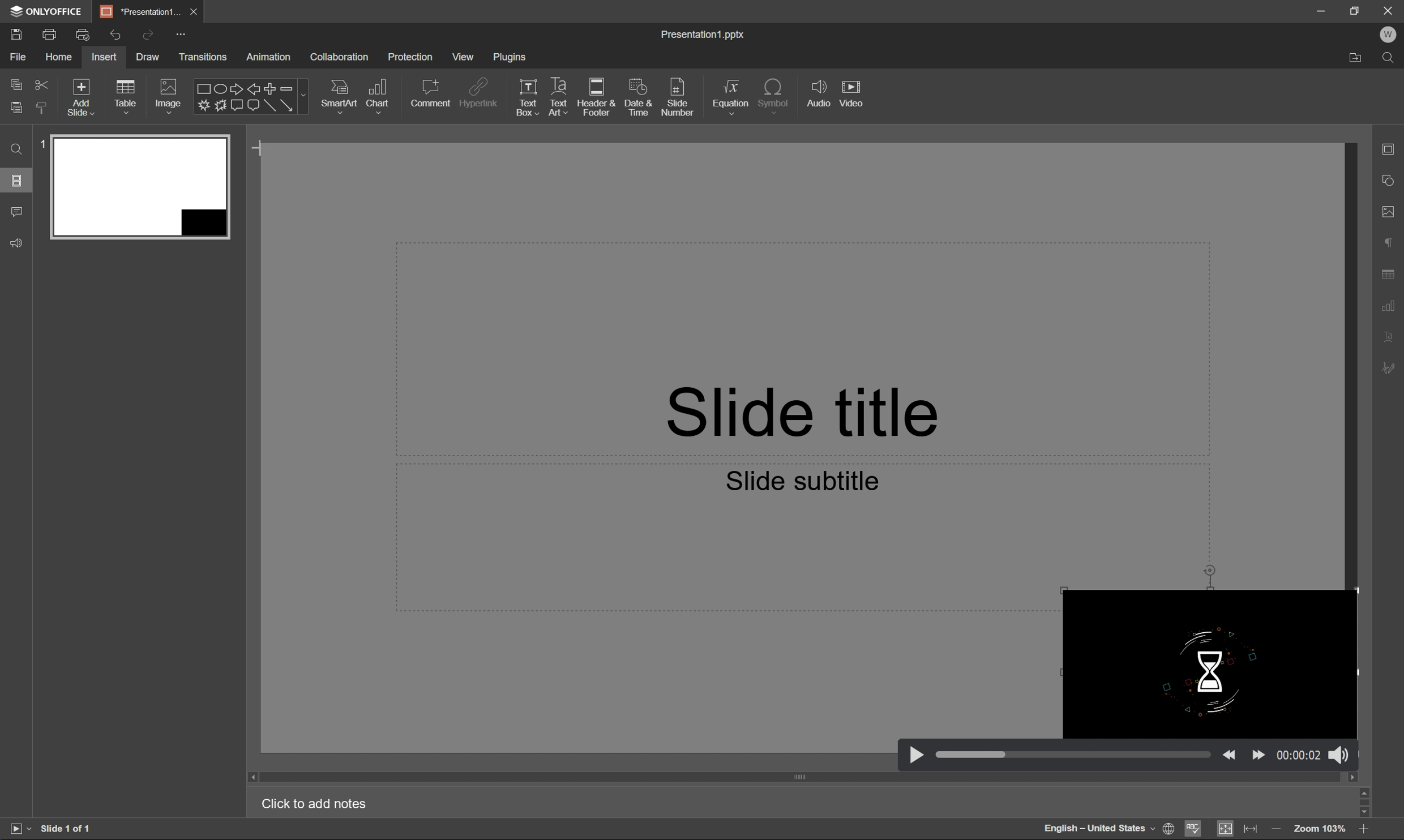  What do you see at coordinates (1206, 665) in the screenshot?
I see `video` at bounding box center [1206, 665].